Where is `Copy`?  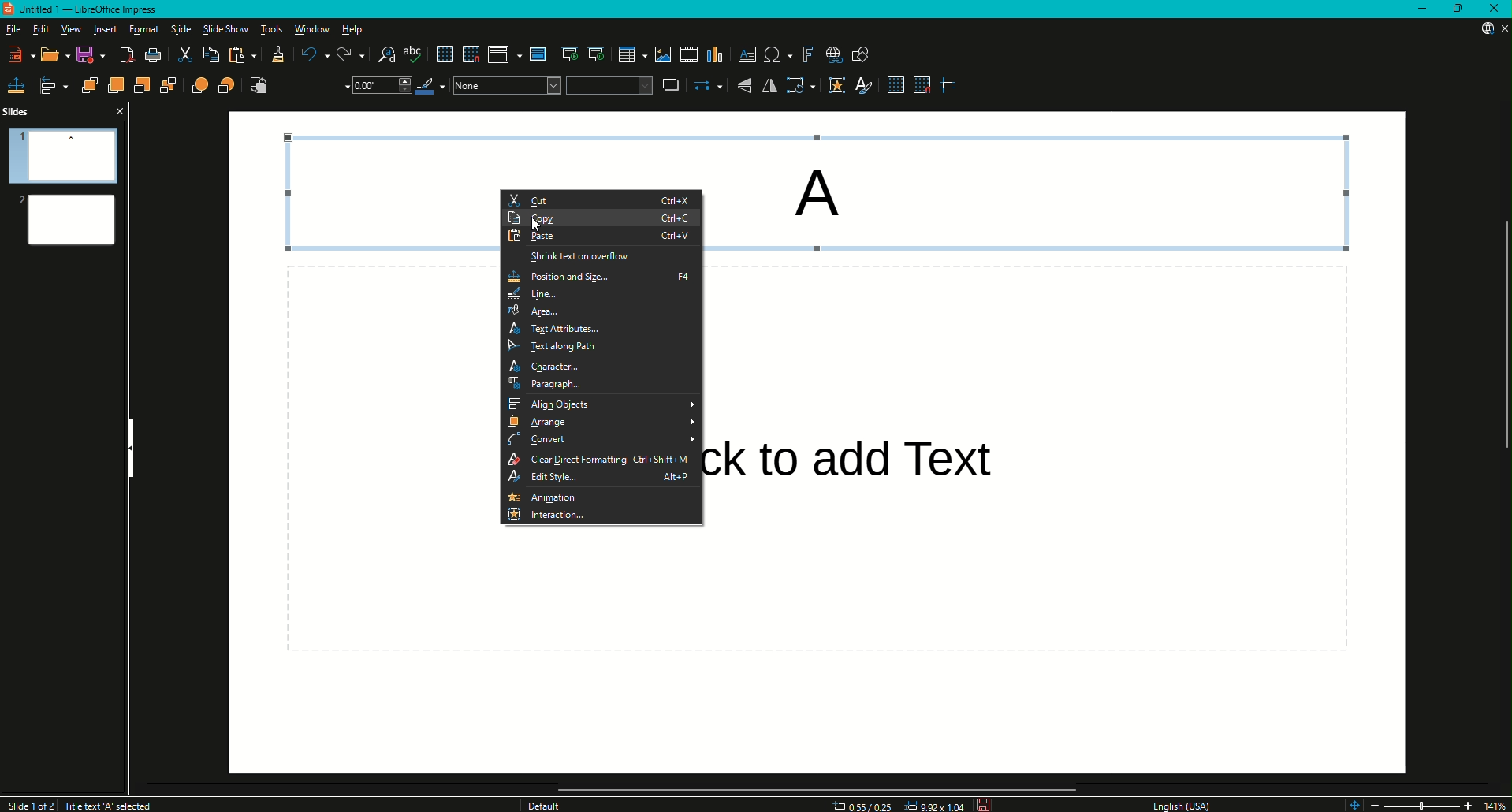
Copy is located at coordinates (206, 54).